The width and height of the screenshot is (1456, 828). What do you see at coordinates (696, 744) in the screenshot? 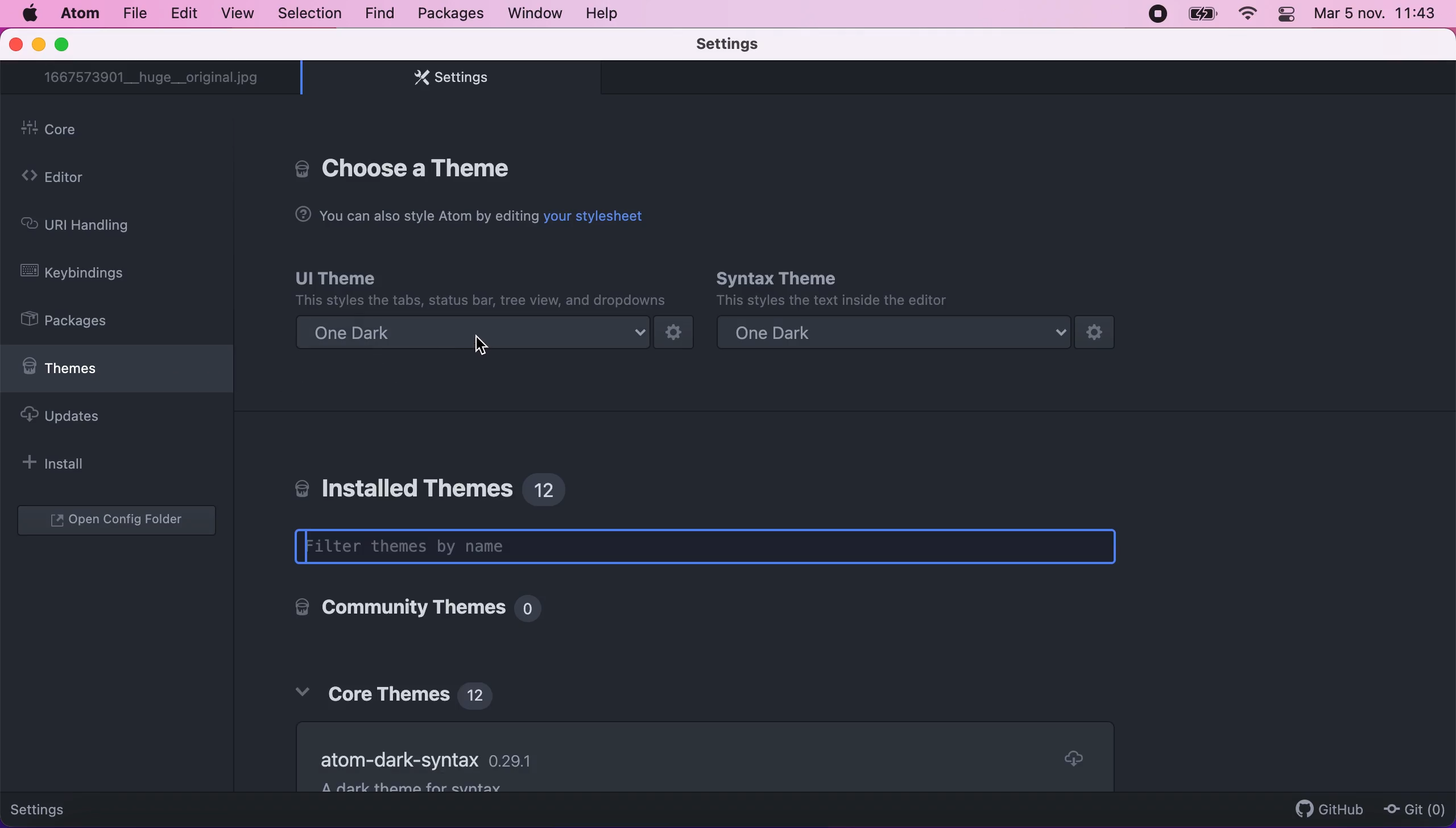
I see `Remove Empty Panes | When the last tab of a pane is closed, remove that pane as well.` at bounding box center [696, 744].